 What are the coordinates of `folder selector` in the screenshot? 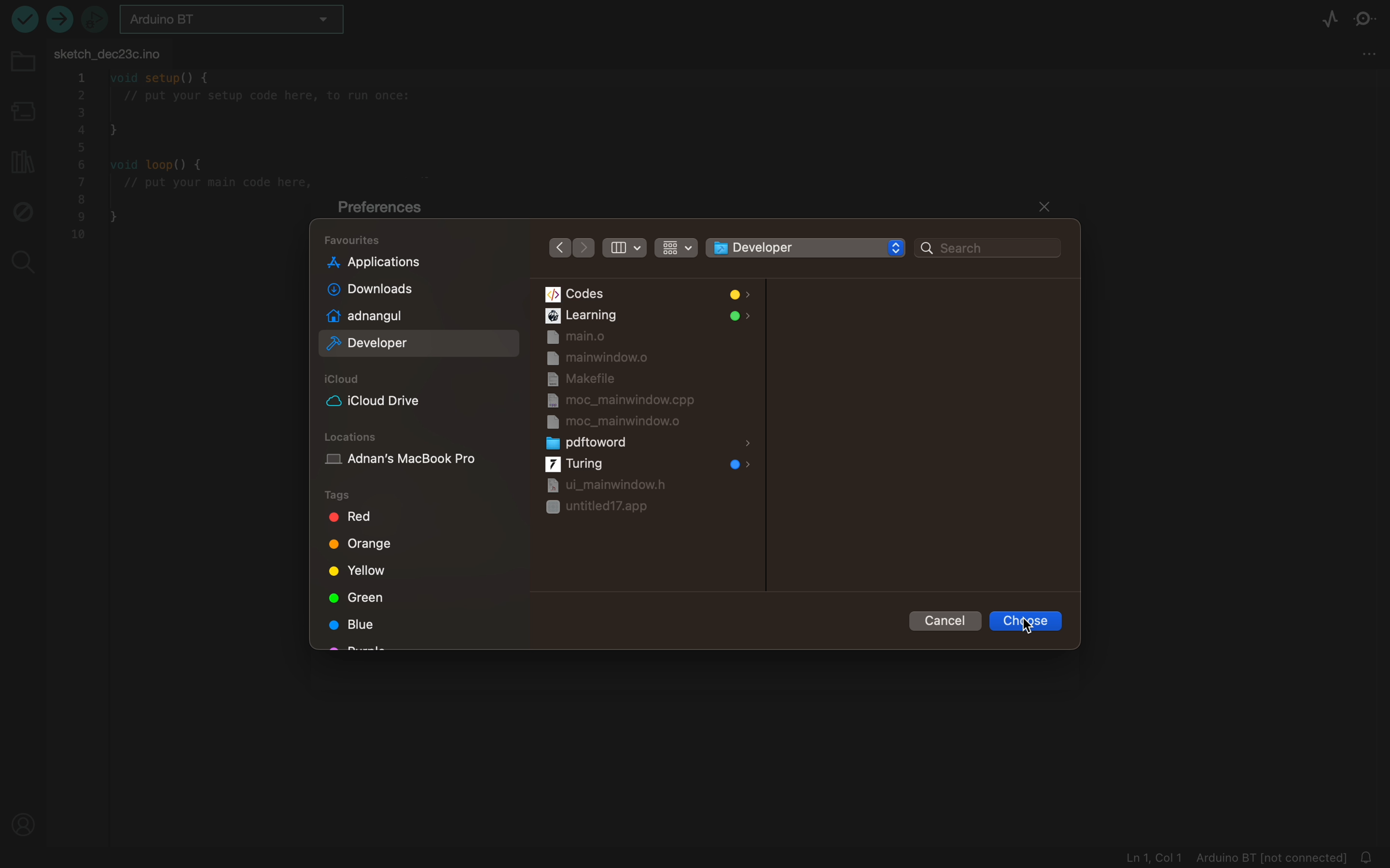 It's located at (804, 249).